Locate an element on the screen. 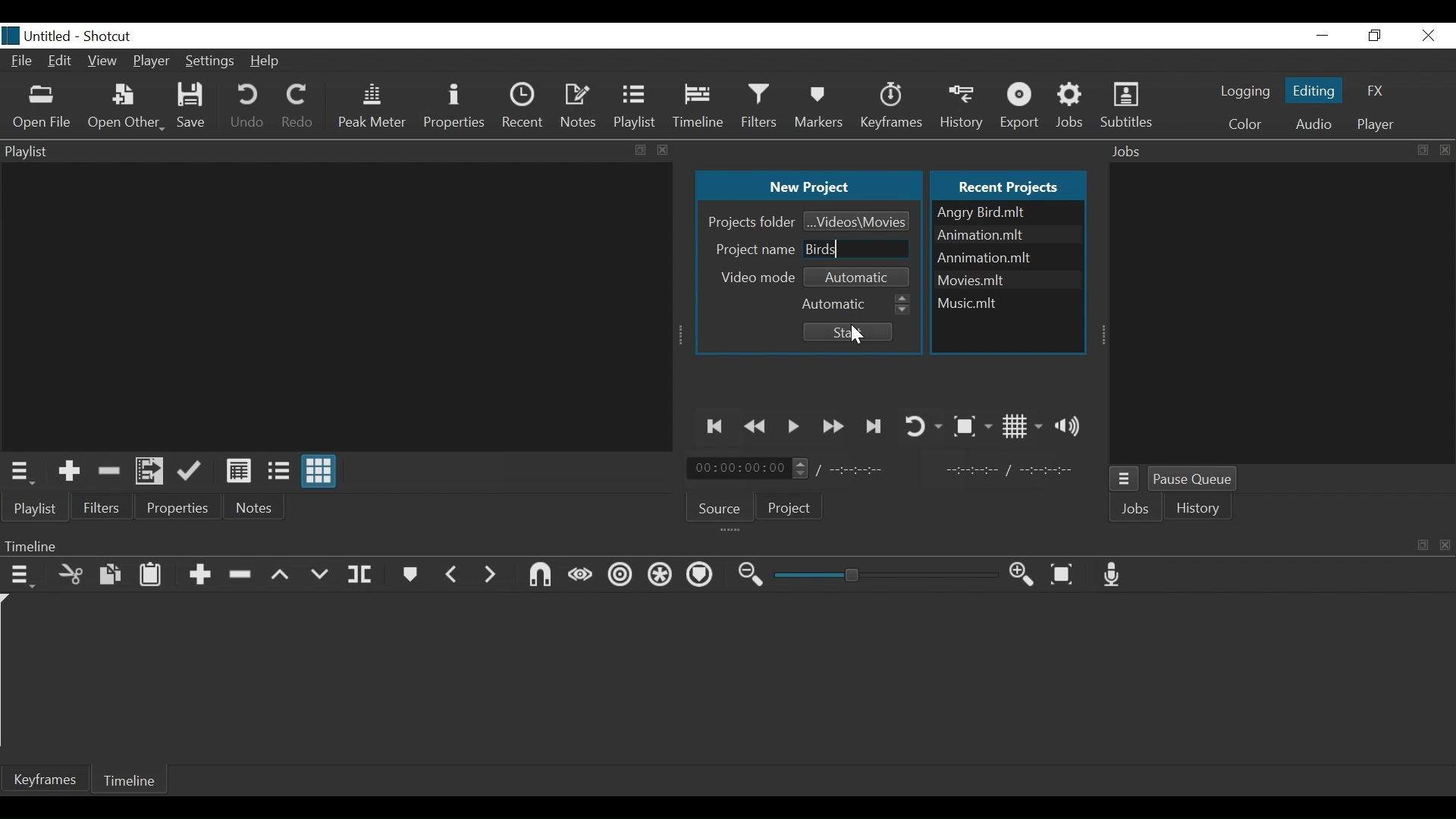 The width and height of the screenshot is (1456, 819). Toggle play or pause (space) is located at coordinates (794, 427).